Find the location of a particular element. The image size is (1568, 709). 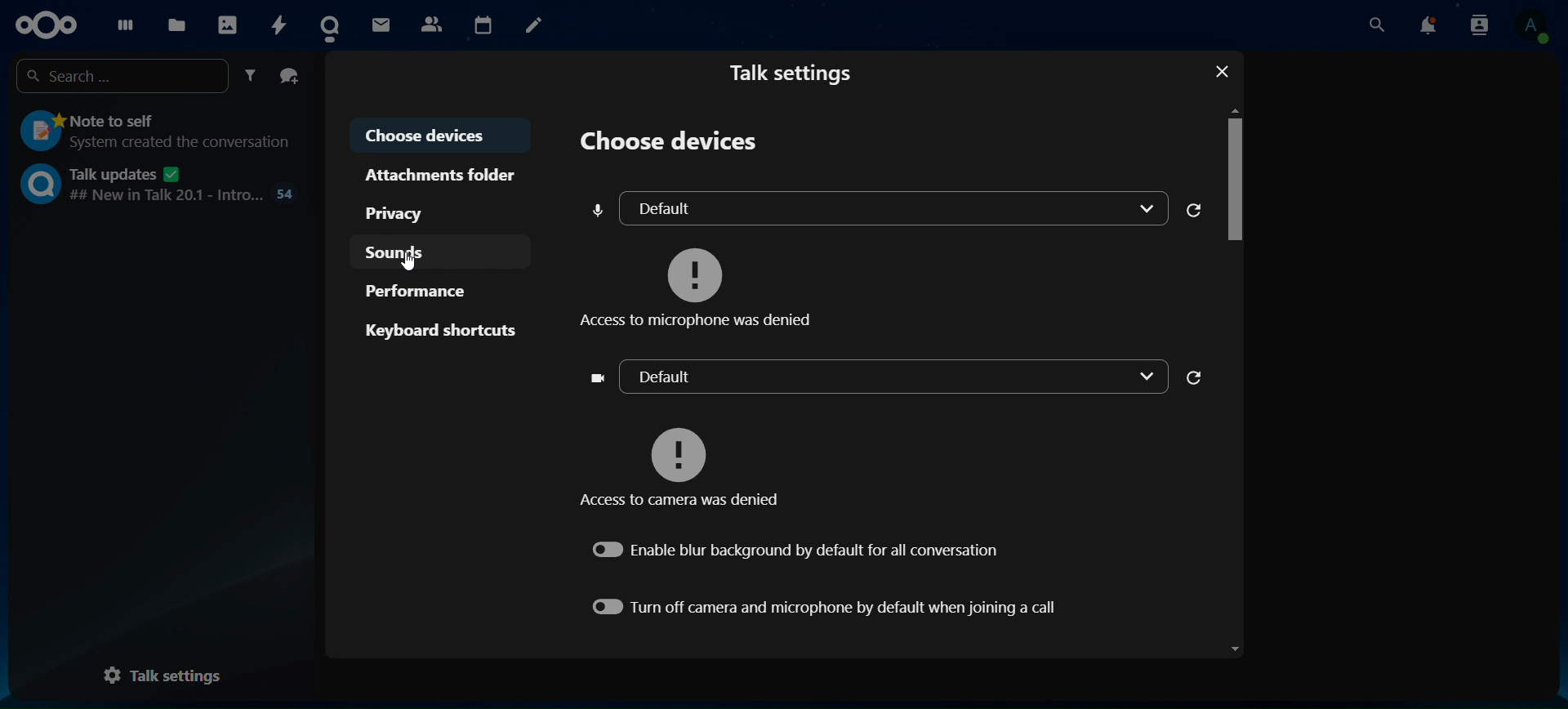

performance is located at coordinates (427, 290).